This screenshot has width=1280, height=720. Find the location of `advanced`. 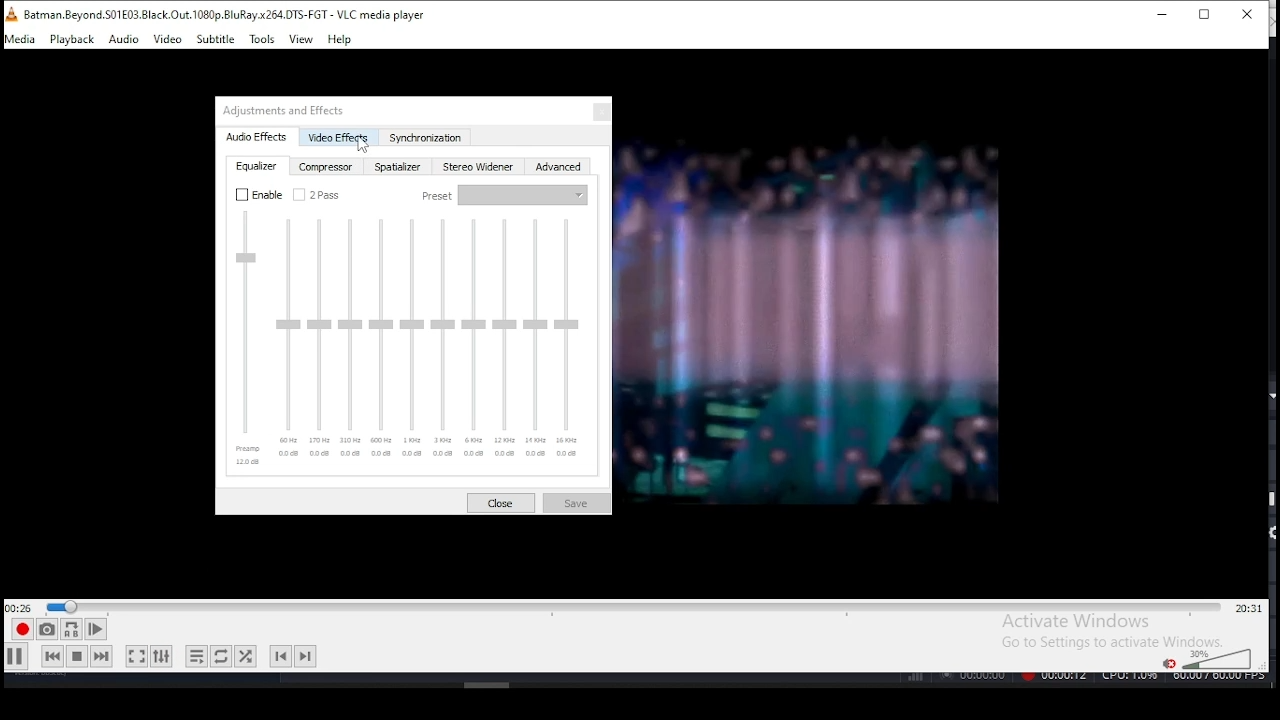

advanced is located at coordinates (559, 167).